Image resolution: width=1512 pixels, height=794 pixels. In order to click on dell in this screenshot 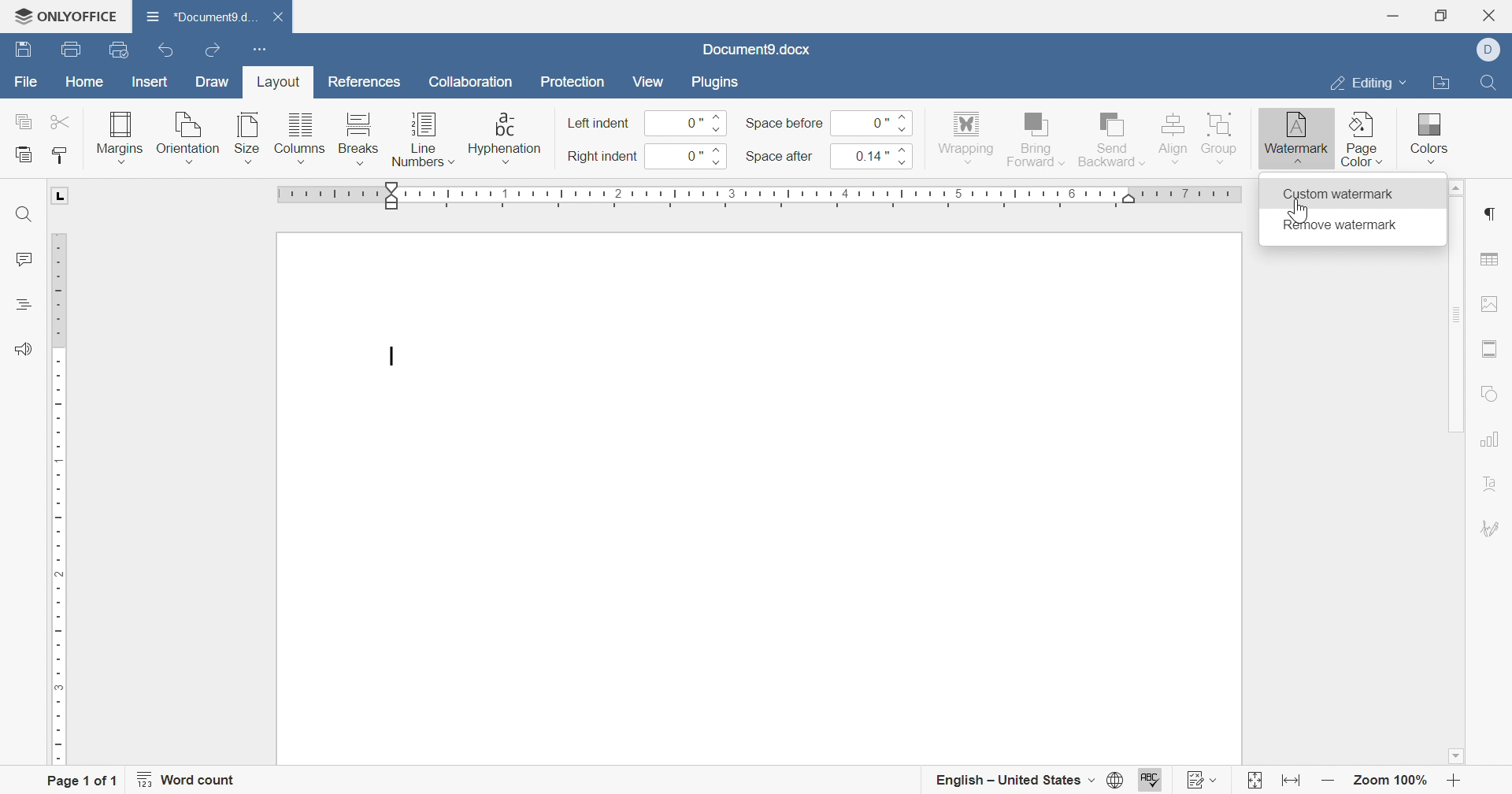, I will do `click(1494, 50)`.